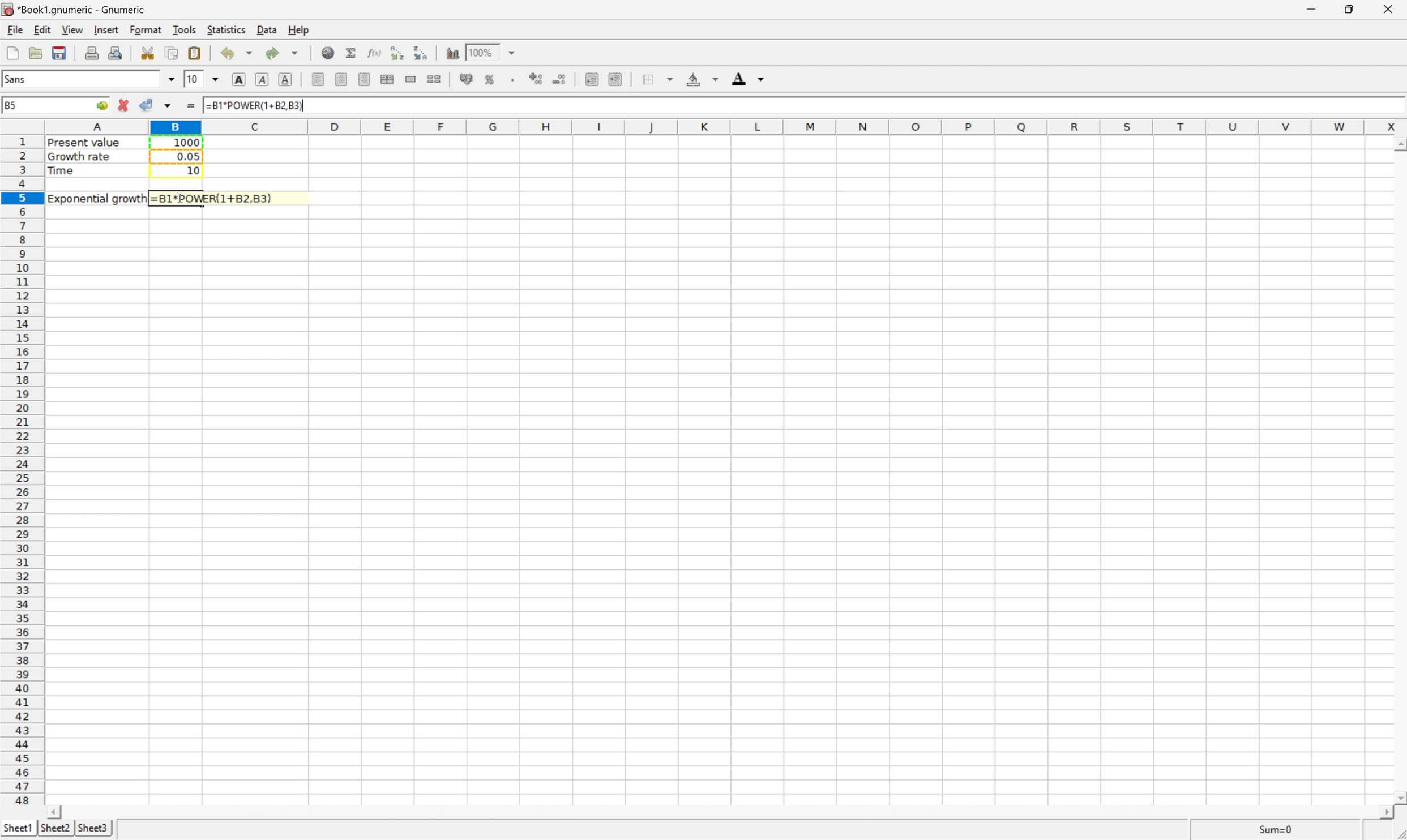  Describe the element at coordinates (1273, 829) in the screenshot. I see `Sum=0` at that location.